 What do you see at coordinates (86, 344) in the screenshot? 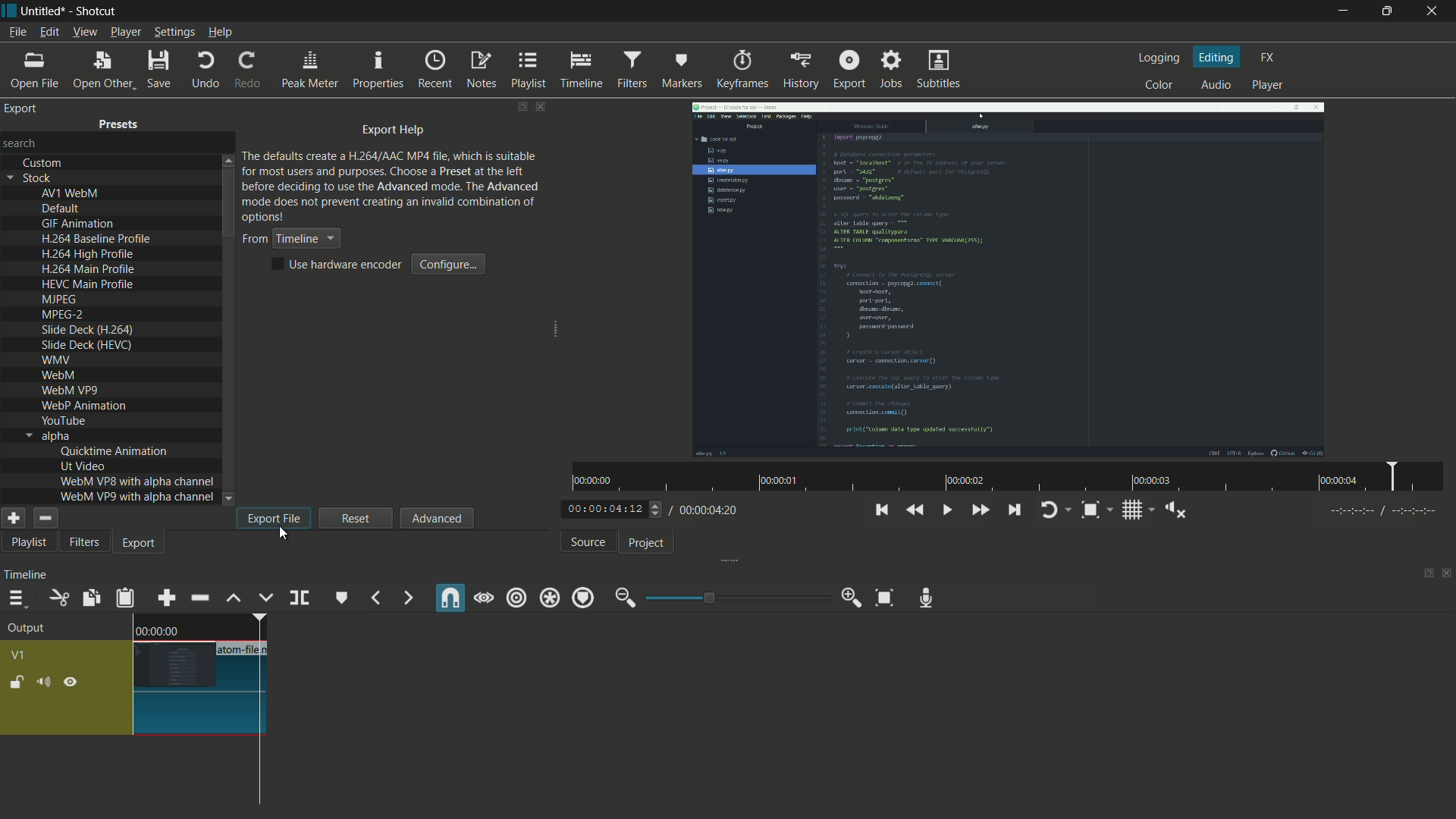
I see `slide deck(hevc)` at bounding box center [86, 344].